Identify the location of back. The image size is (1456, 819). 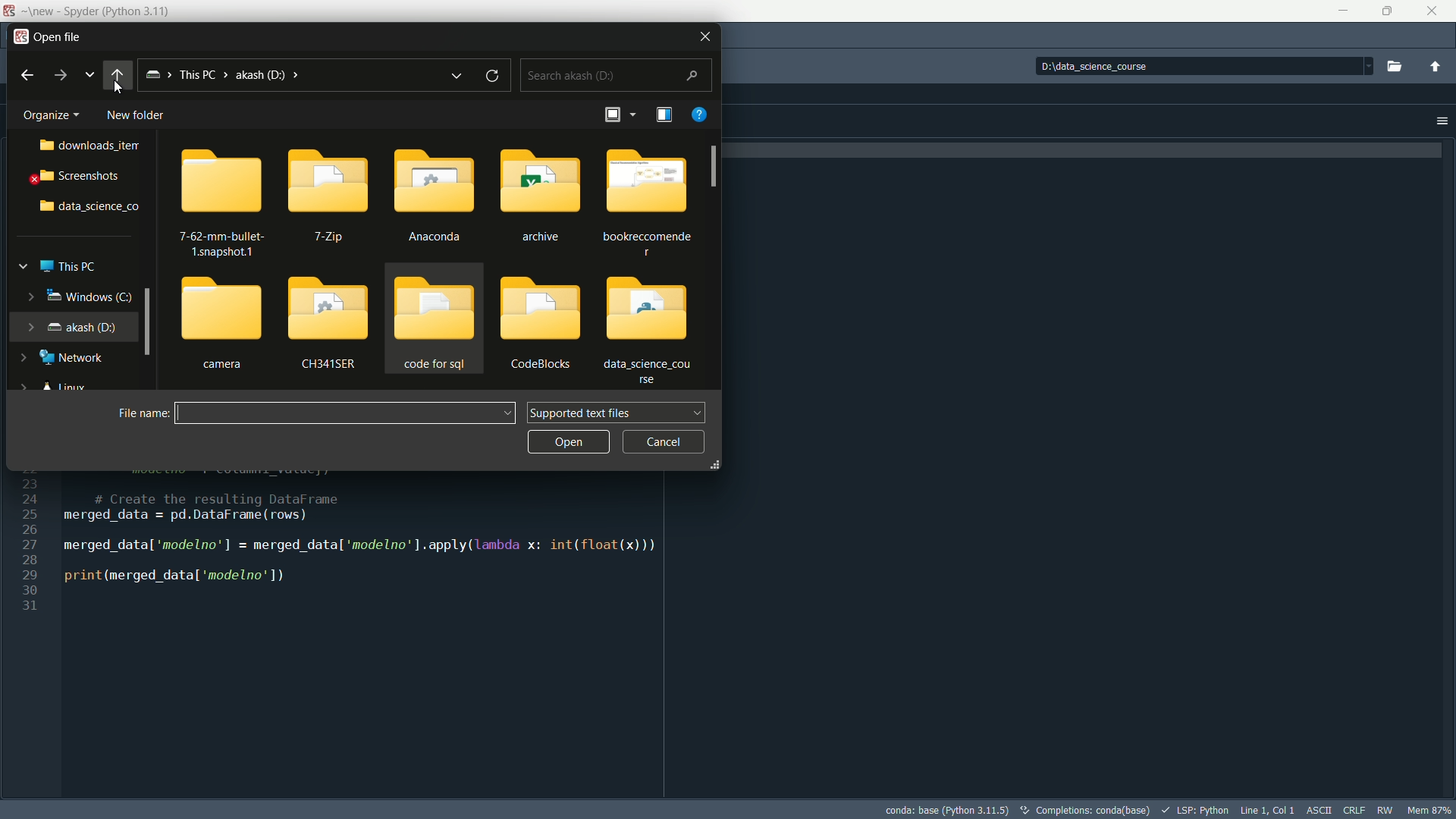
(117, 76).